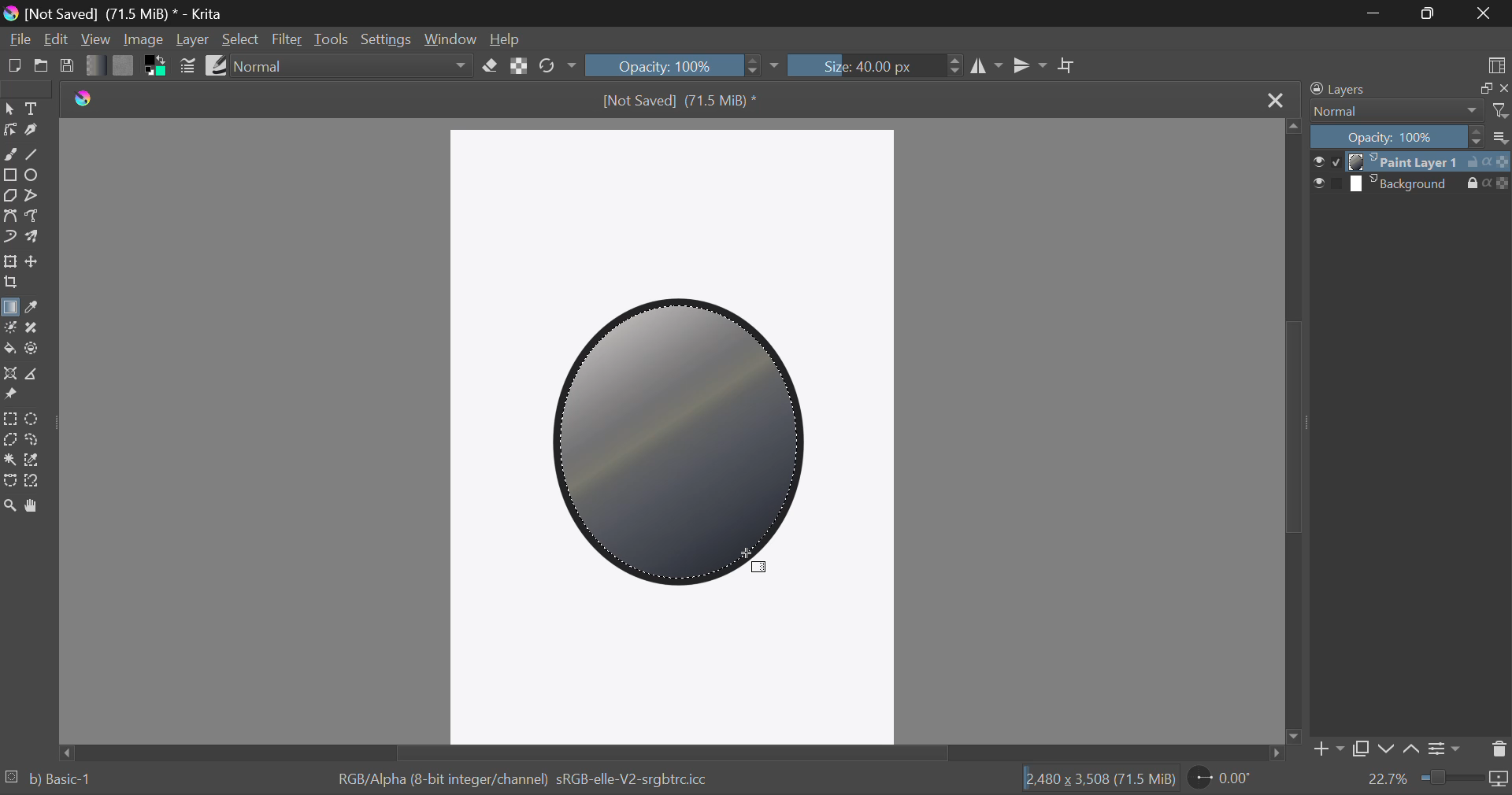 This screenshot has height=795, width=1512. Describe the element at coordinates (1496, 65) in the screenshot. I see `Choose Workspace` at that location.